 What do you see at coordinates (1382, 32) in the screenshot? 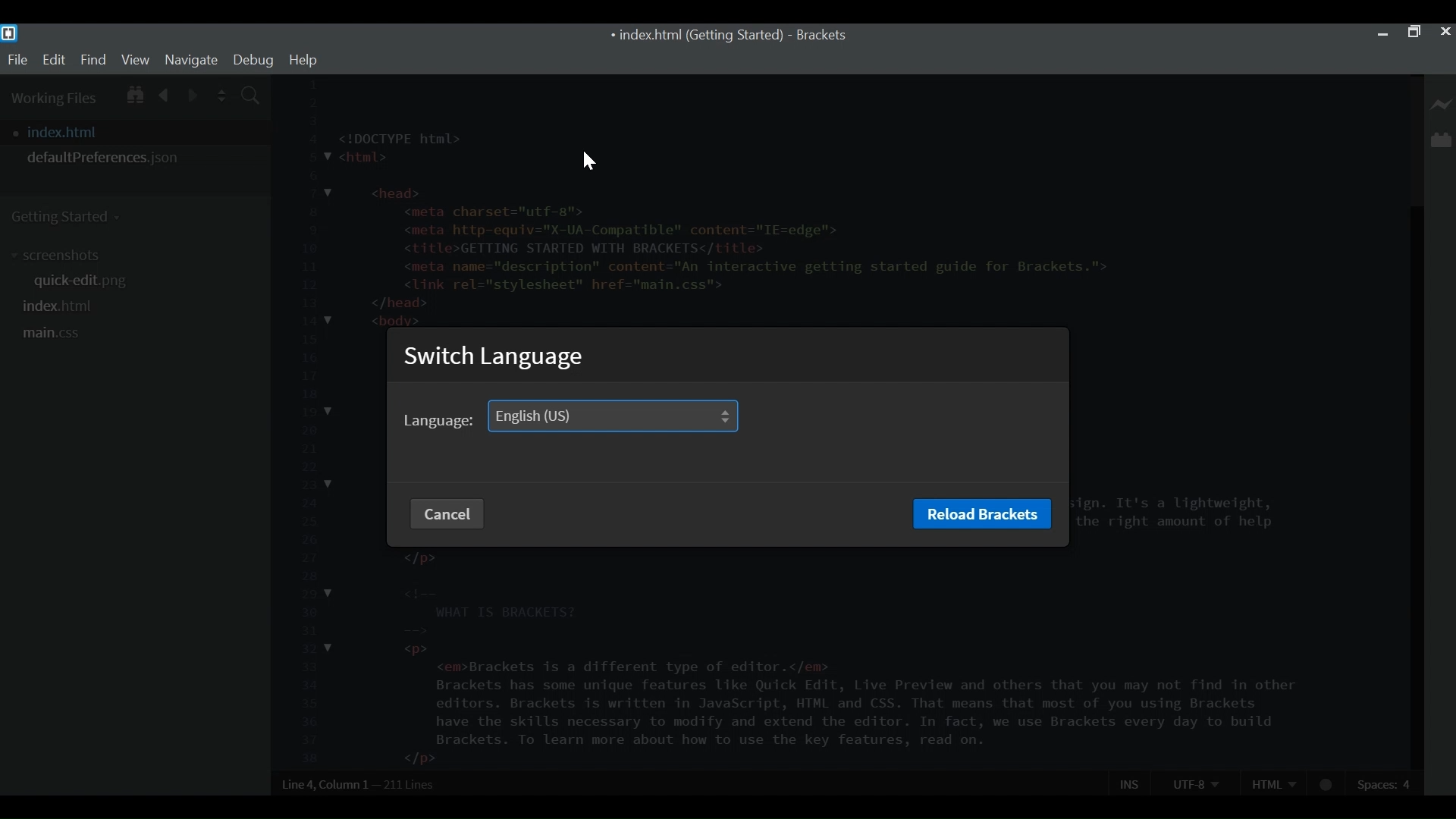
I see `minimize` at bounding box center [1382, 32].